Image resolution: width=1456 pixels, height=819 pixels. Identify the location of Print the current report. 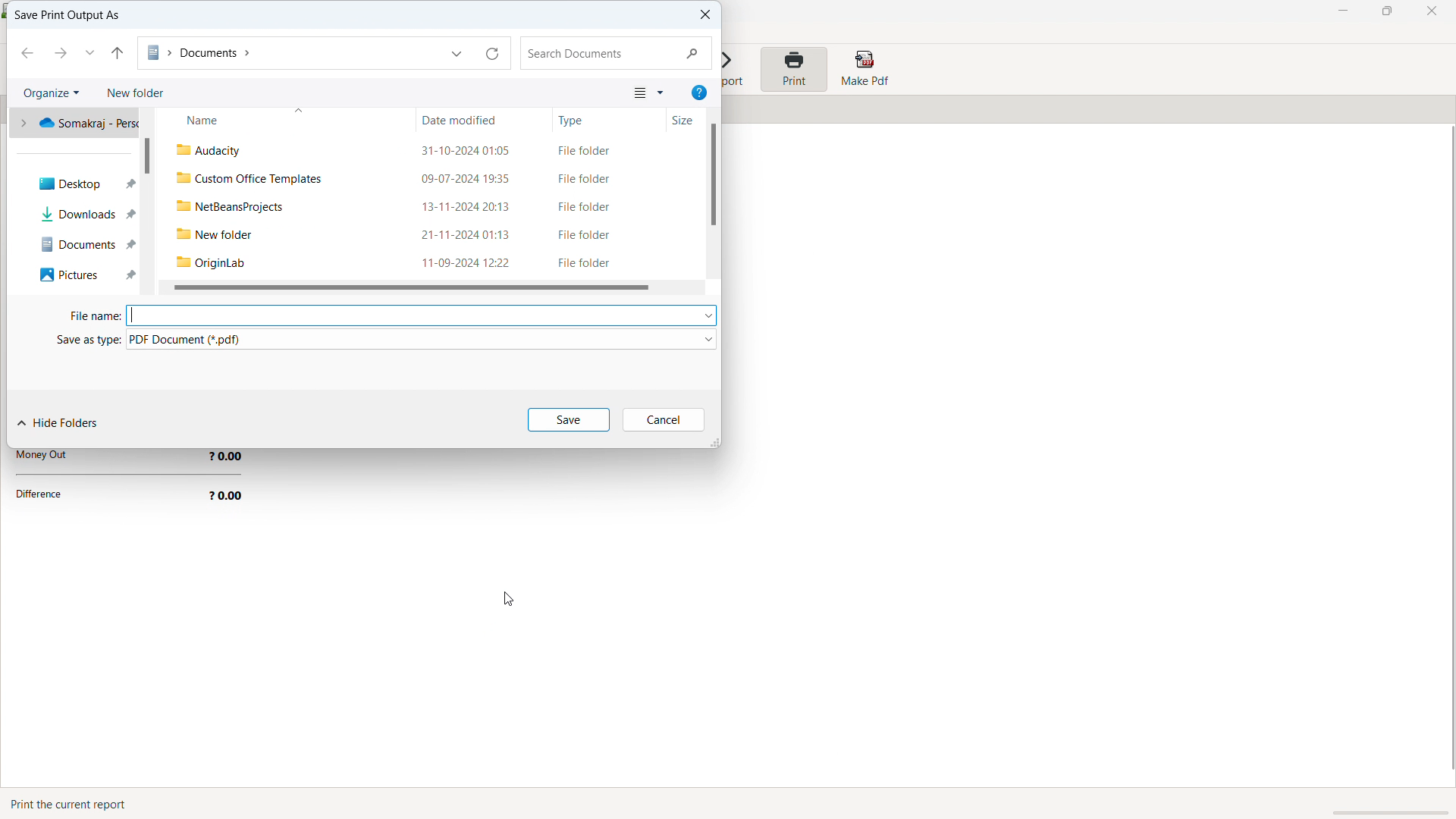
(73, 804).